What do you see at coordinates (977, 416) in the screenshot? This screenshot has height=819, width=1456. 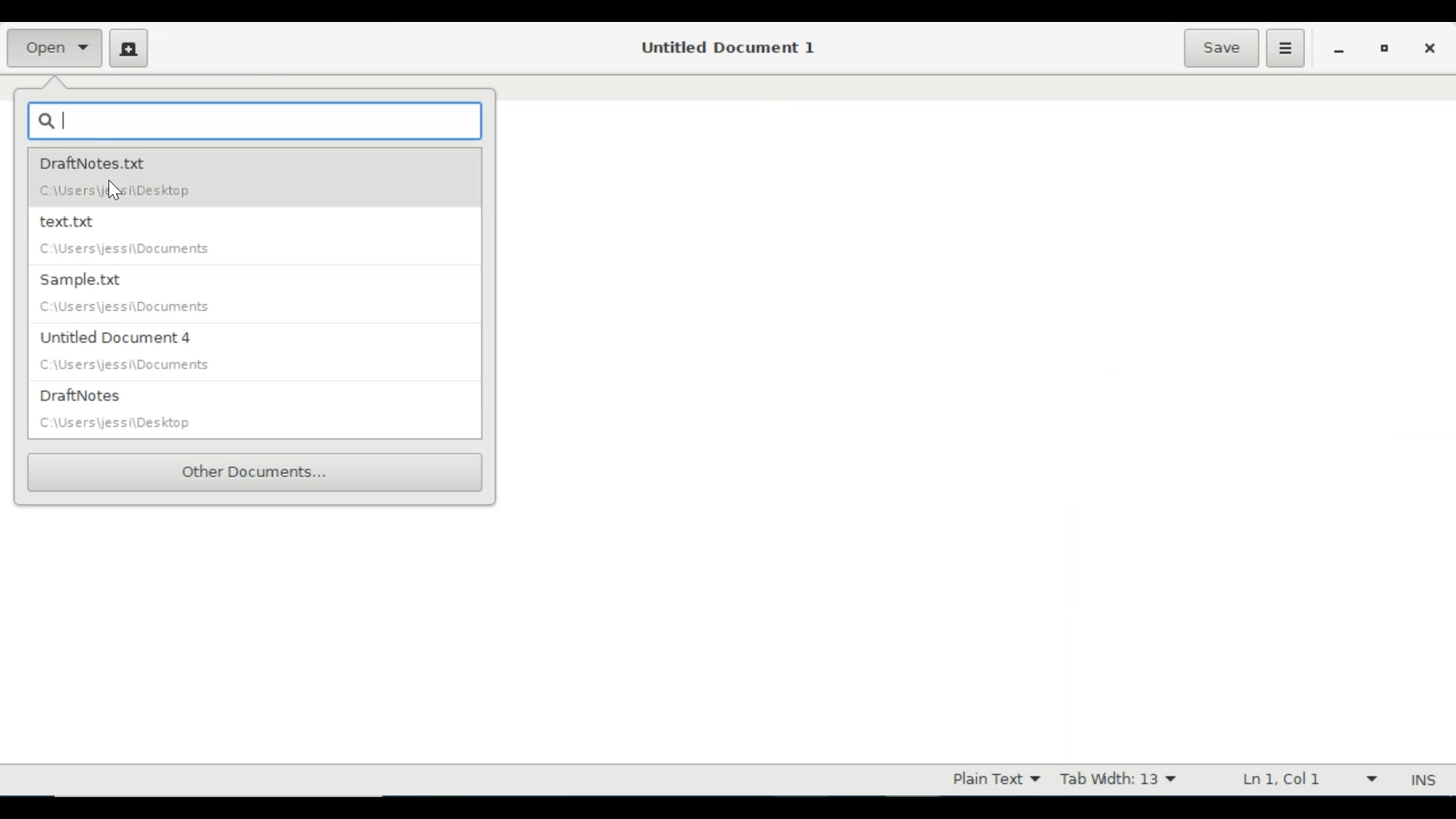 I see `Text Entry Pane` at bounding box center [977, 416].